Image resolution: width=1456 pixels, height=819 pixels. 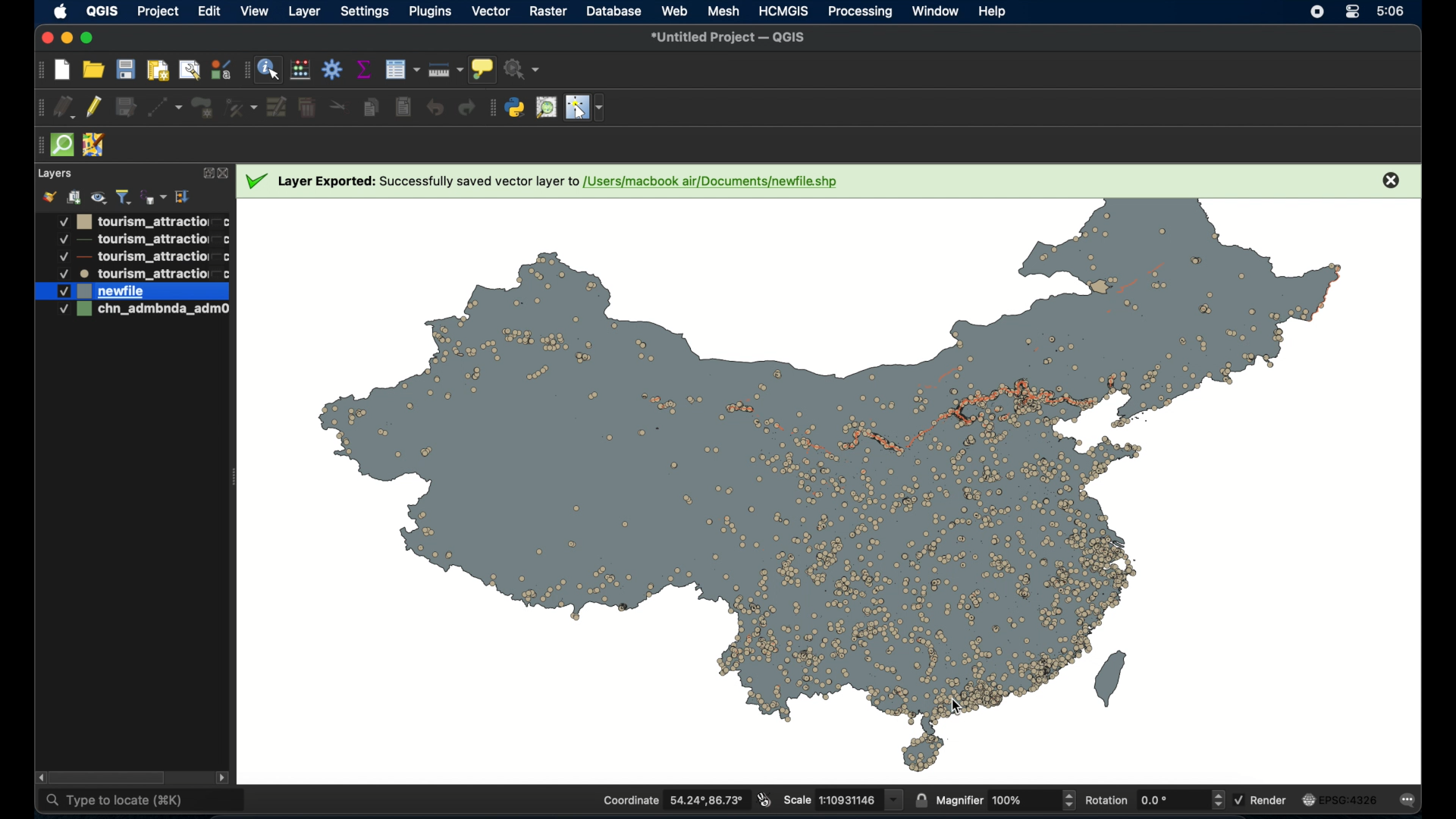 I want to click on help, so click(x=993, y=11).